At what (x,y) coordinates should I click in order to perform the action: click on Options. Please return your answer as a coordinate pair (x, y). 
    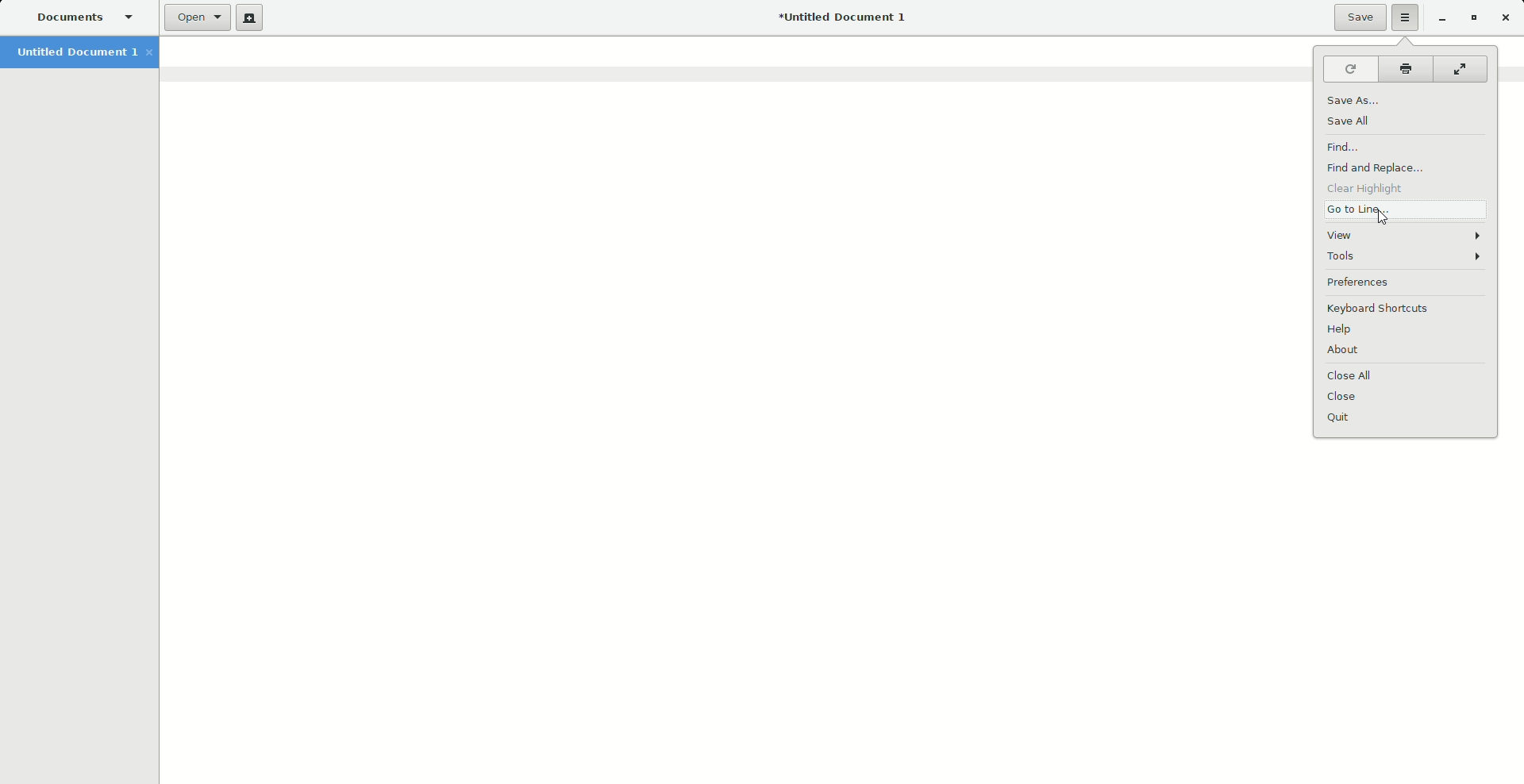
    Looking at the image, I should click on (1406, 18).